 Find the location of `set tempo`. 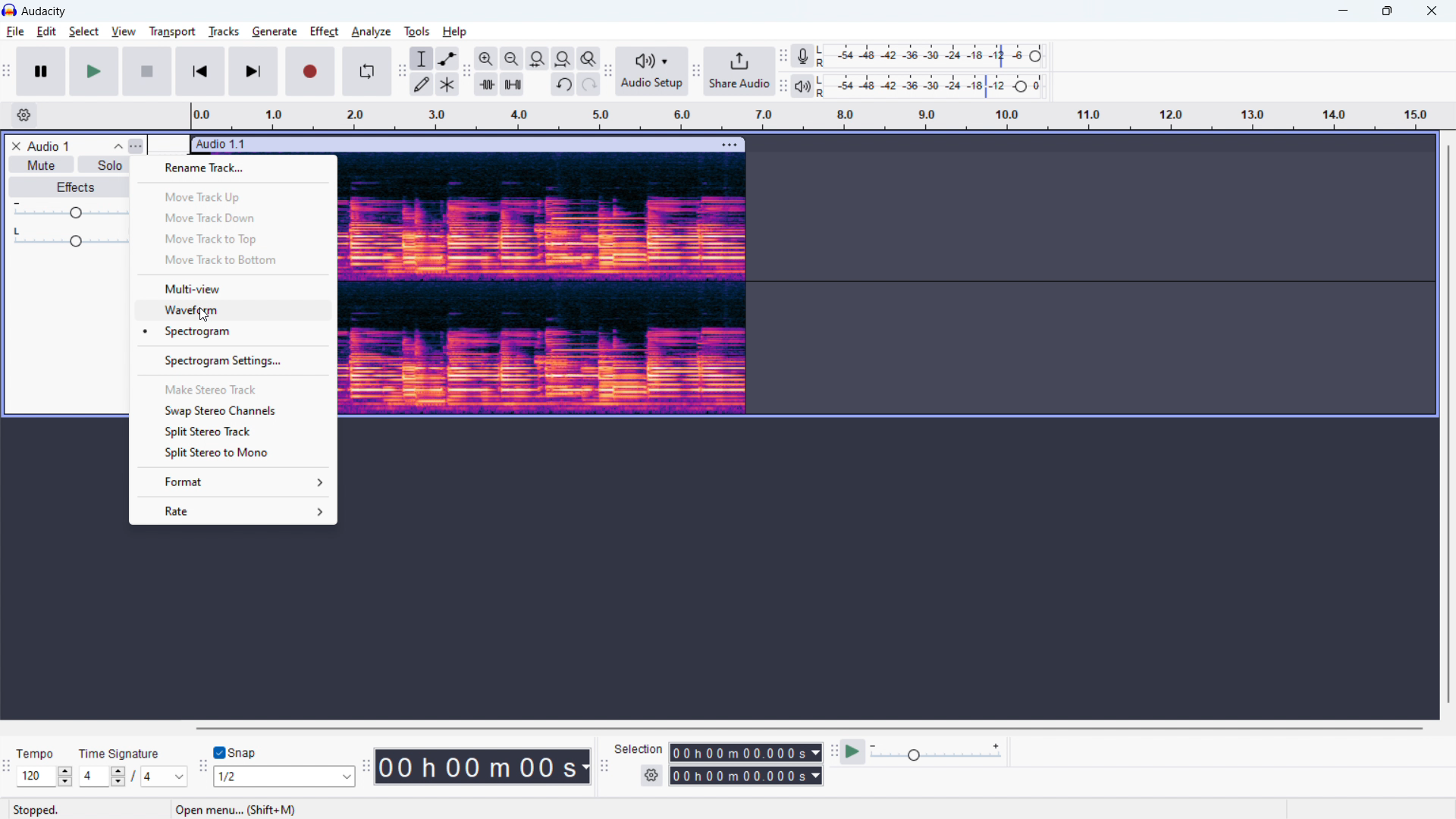

set tempo is located at coordinates (35, 777).